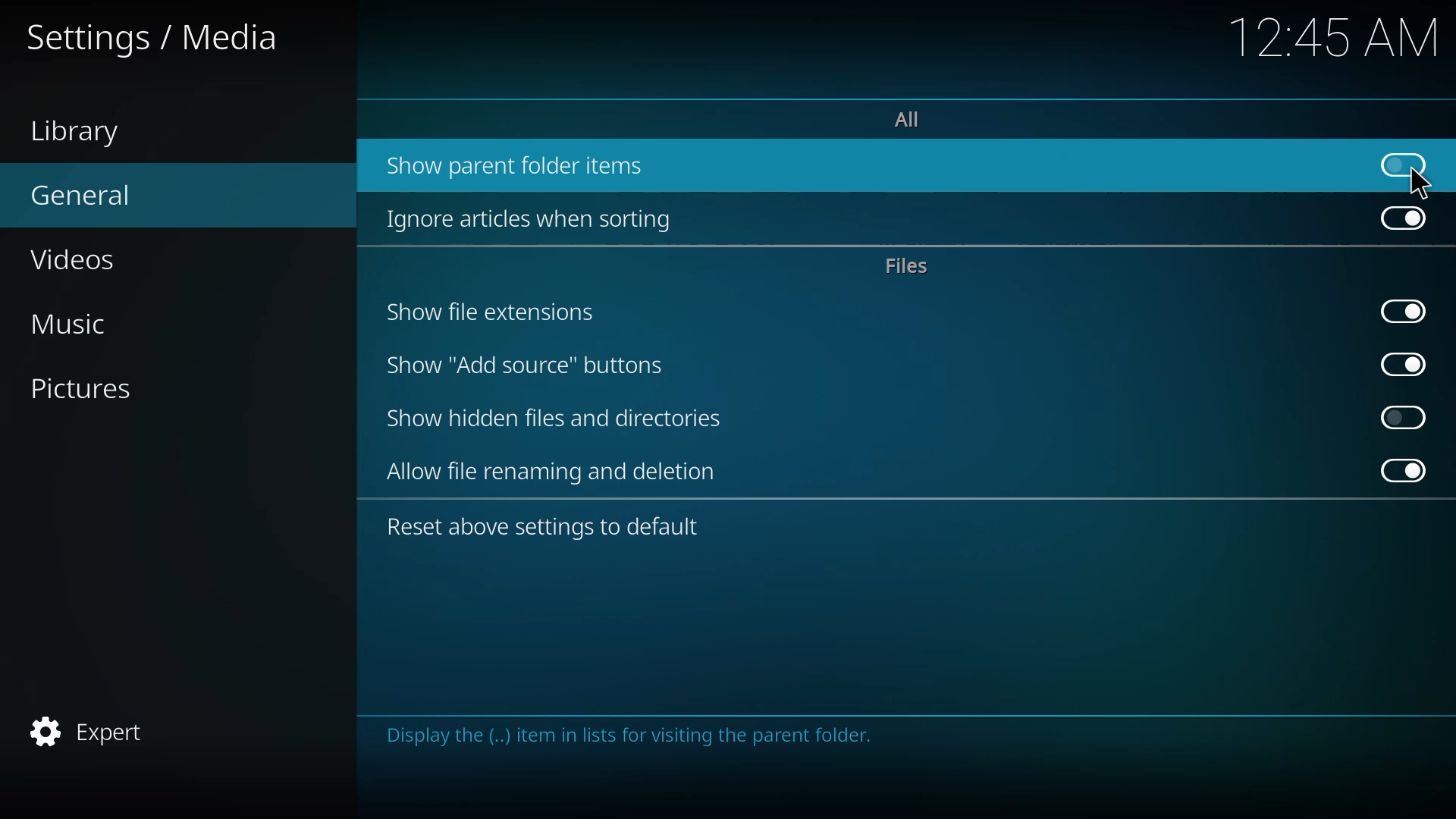 The height and width of the screenshot is (819, 1456). I want to click on files, so click(907, 266).